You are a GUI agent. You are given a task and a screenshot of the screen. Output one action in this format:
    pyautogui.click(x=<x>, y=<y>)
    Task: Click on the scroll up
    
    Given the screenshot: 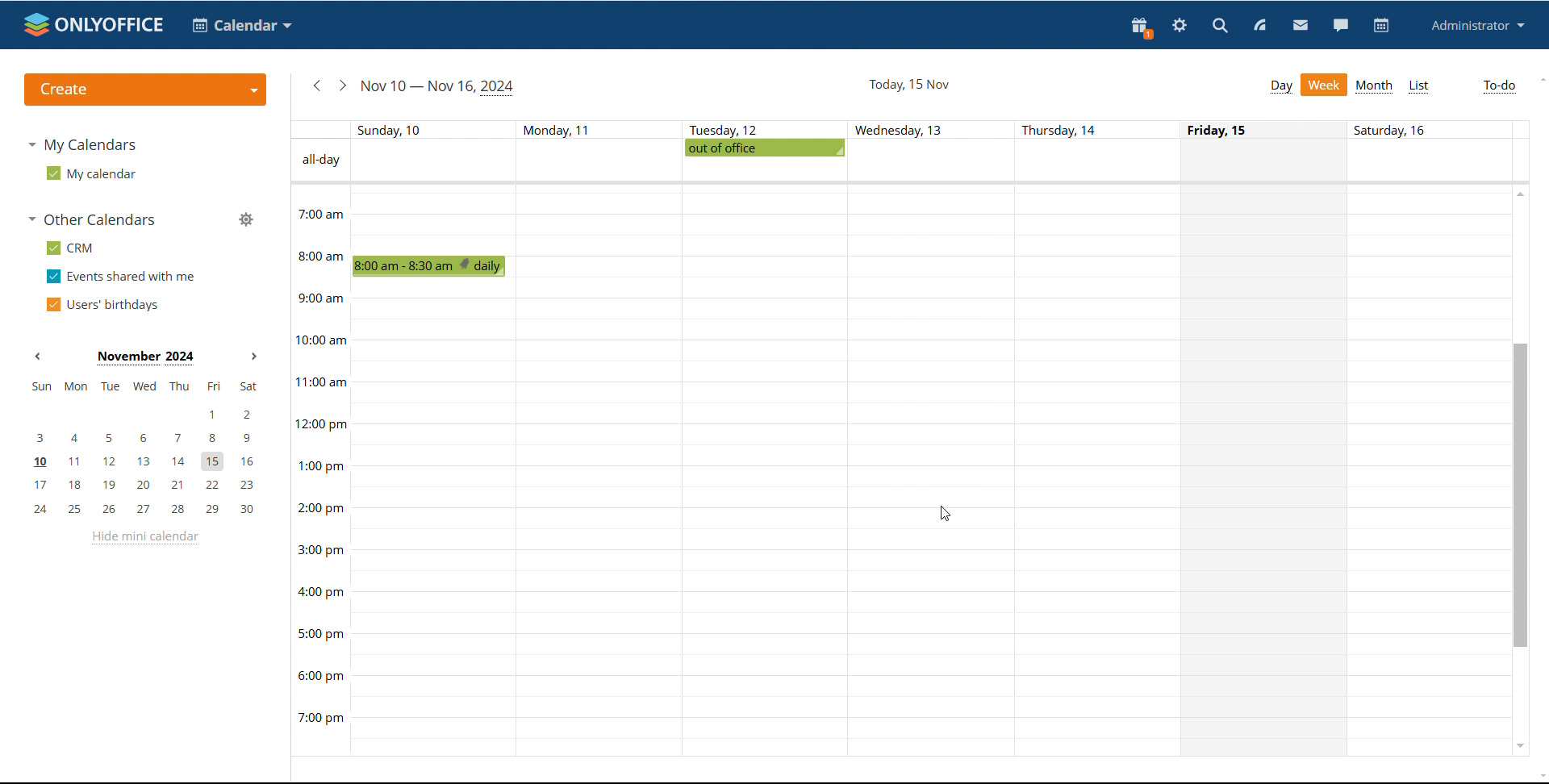 What is the action you would take?
    pyautogui.click(x=1539, y=78)
    